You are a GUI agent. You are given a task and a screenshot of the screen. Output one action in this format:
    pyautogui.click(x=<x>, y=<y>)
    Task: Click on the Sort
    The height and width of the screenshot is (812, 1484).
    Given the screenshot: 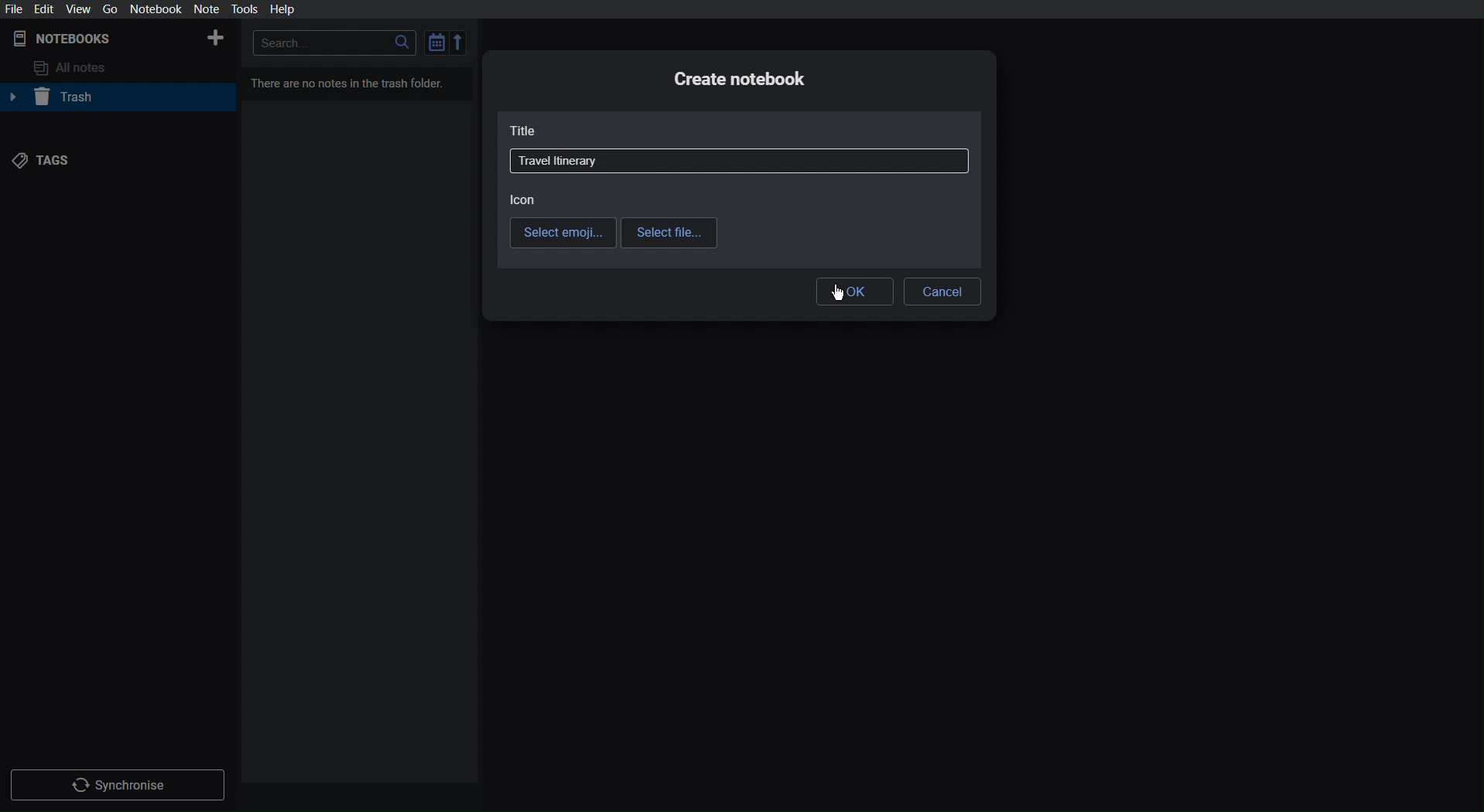 What is the action you would take?
    pyautogui.click(x=447, y=42)
    